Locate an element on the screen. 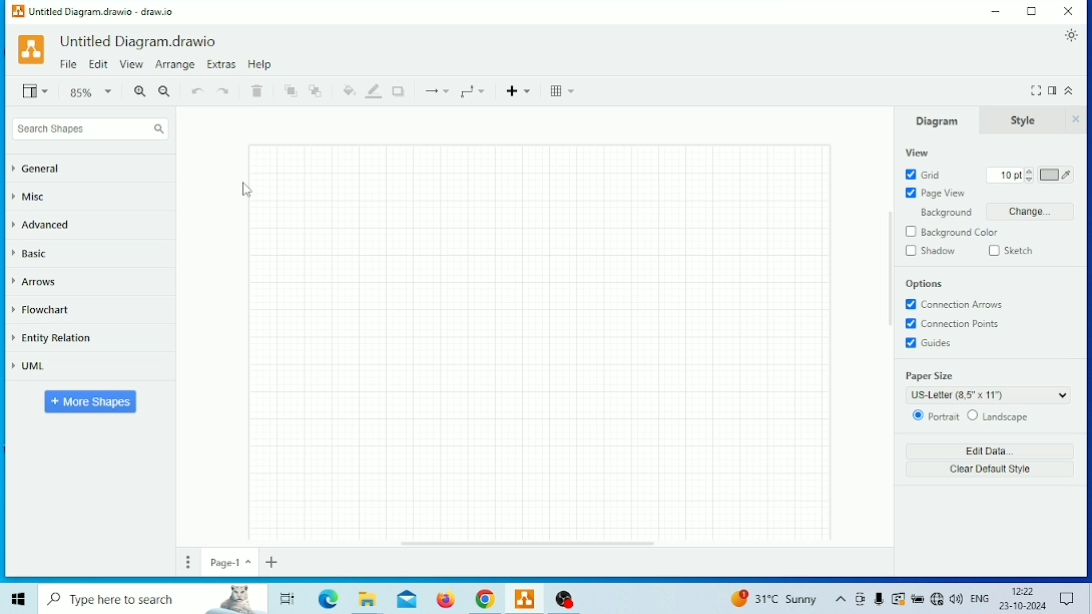 The image size is (1092, 614). Flowchart is located at coordinates (41, 309).